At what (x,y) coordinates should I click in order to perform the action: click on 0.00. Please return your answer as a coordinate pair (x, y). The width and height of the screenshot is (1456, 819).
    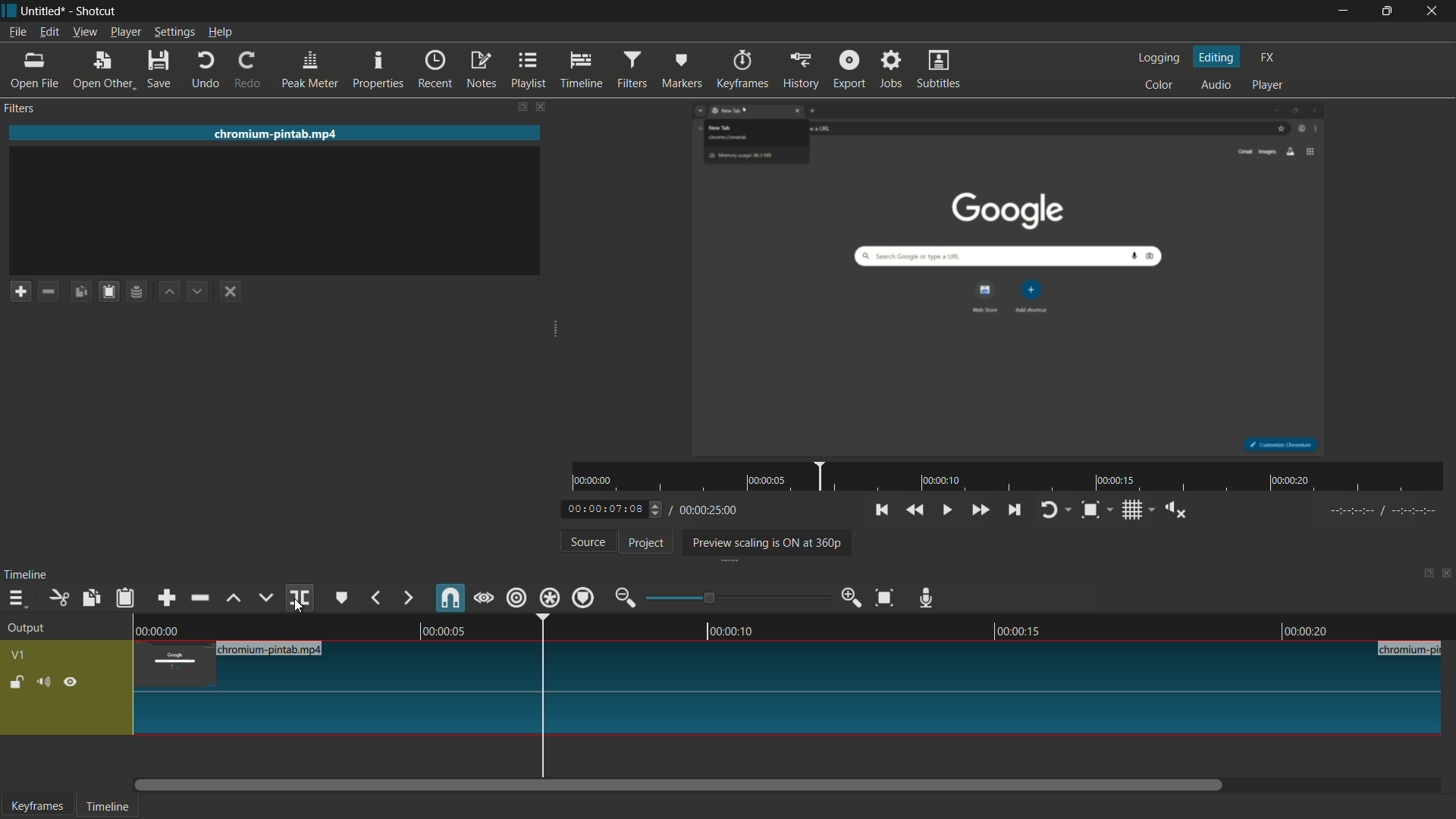
    Looking at the image, I should click on (162, 629).